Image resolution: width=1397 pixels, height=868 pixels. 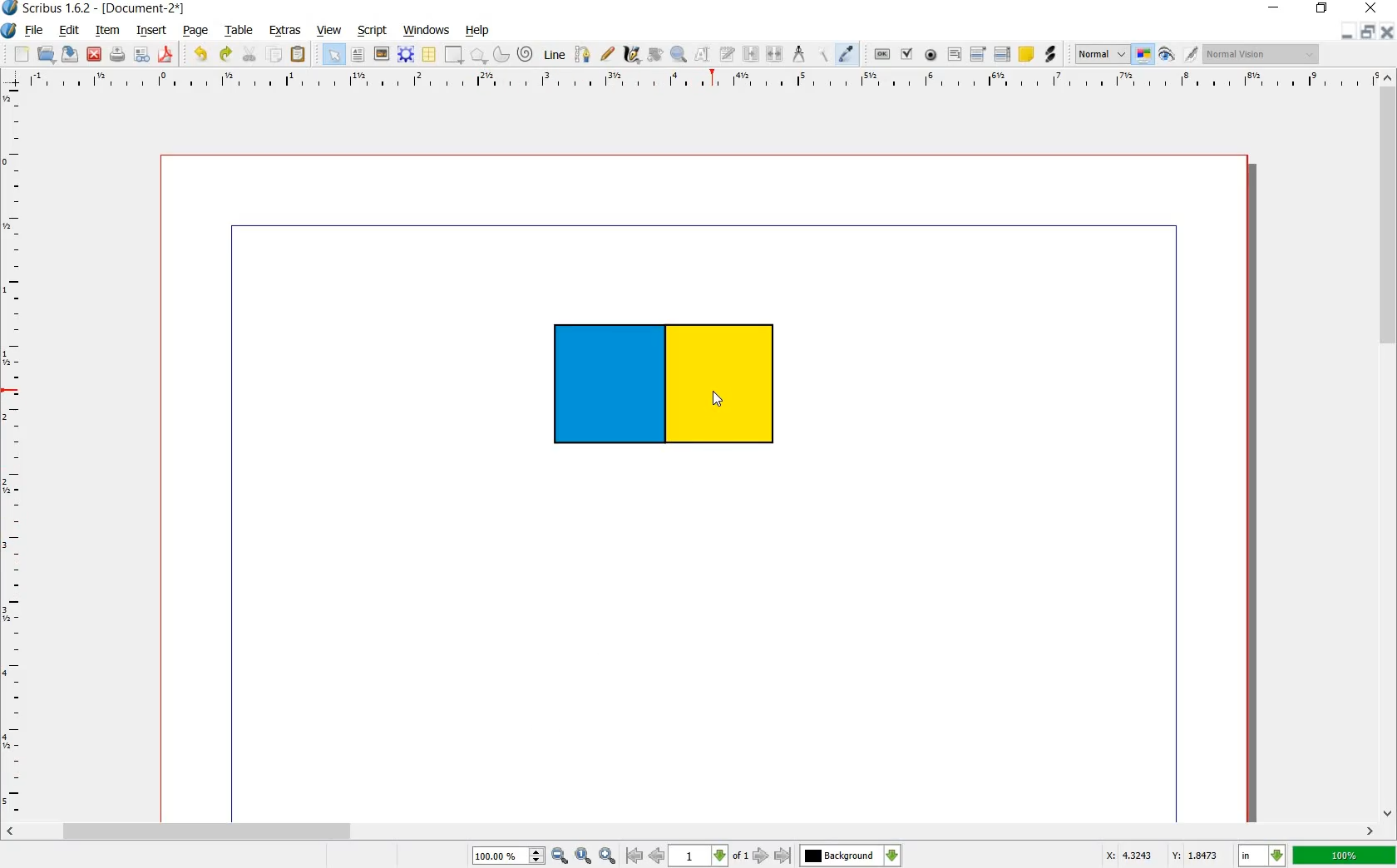 I want to click on scrollbar, so click(x=1389, y=451).